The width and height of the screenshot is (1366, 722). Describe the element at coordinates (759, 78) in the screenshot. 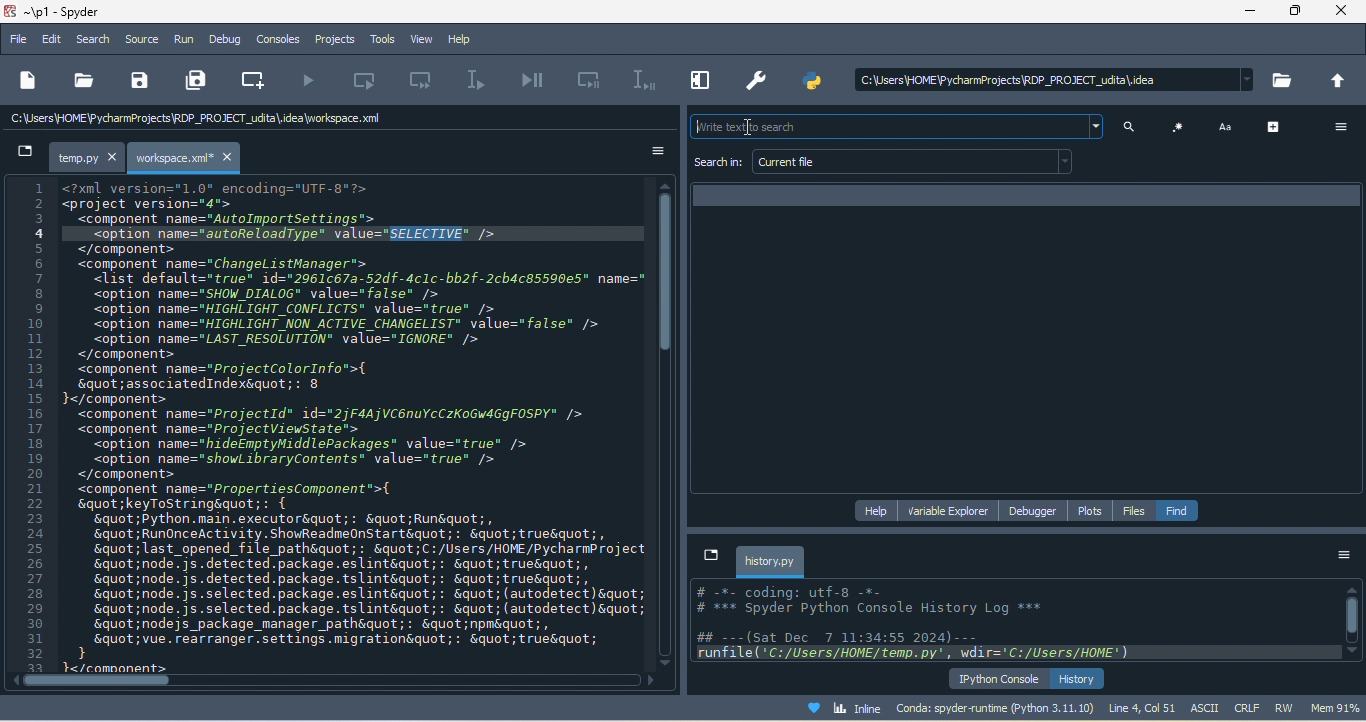

I see `preferences` at that location.